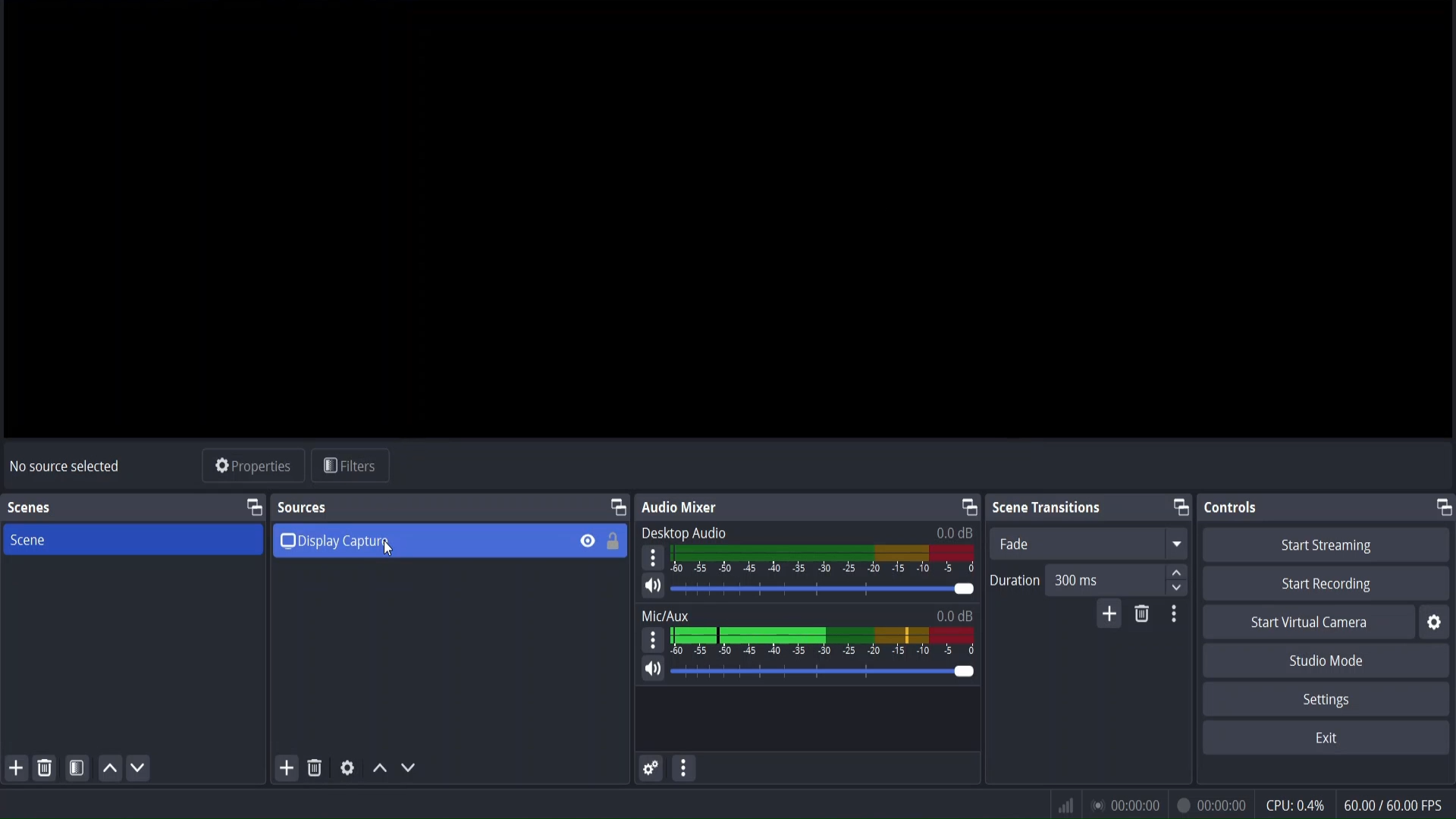 This screenshot has height=819, width=1456. I want to click on move source down, so click(409, 767).